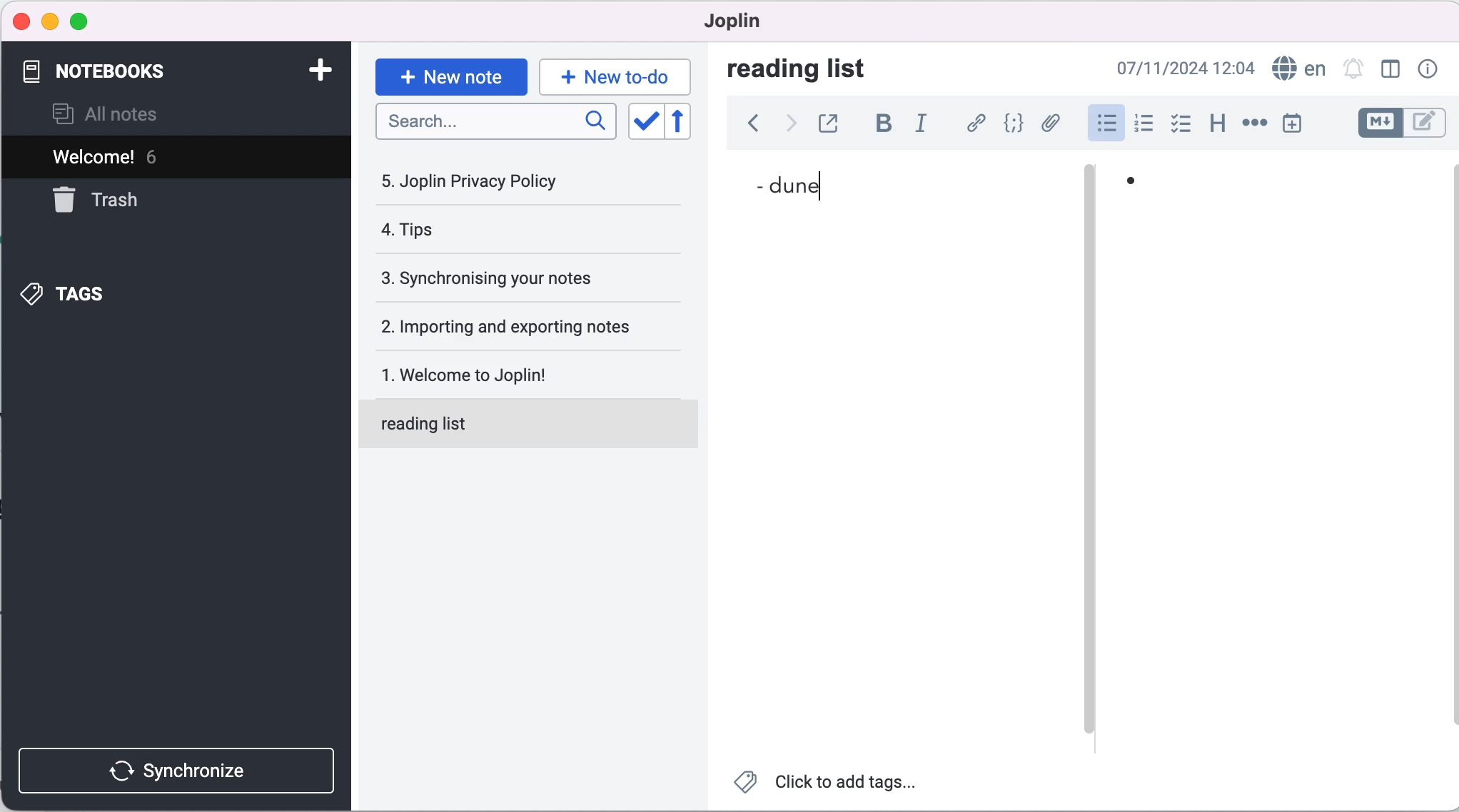 This screenshot has width=1459, height=812. What do you see at coordinates (837, 183) in the screenshot?
I see `dune` at bounding box center [837, 183].